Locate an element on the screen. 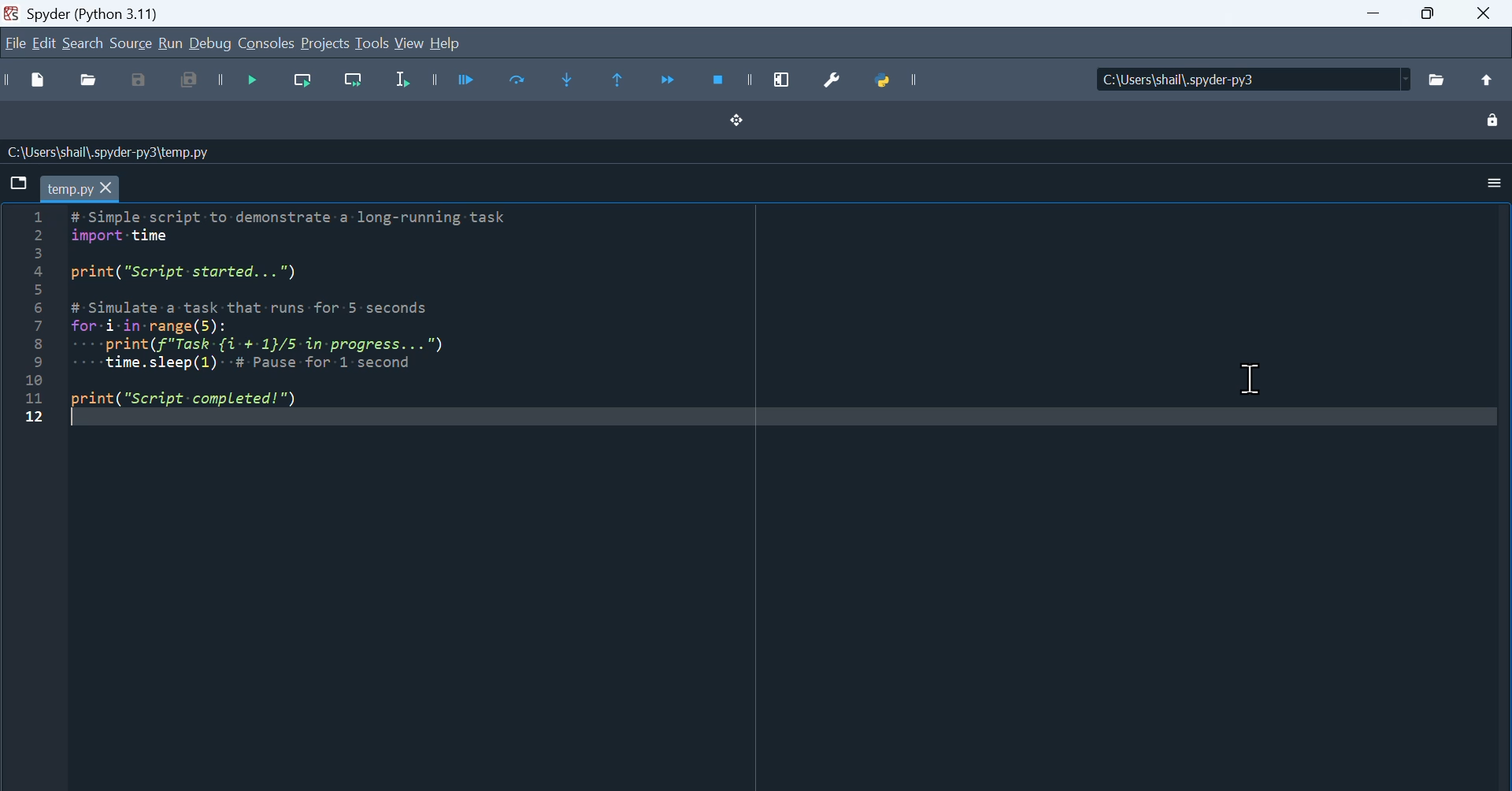  Python path manager is located at coordinates (885, 81).